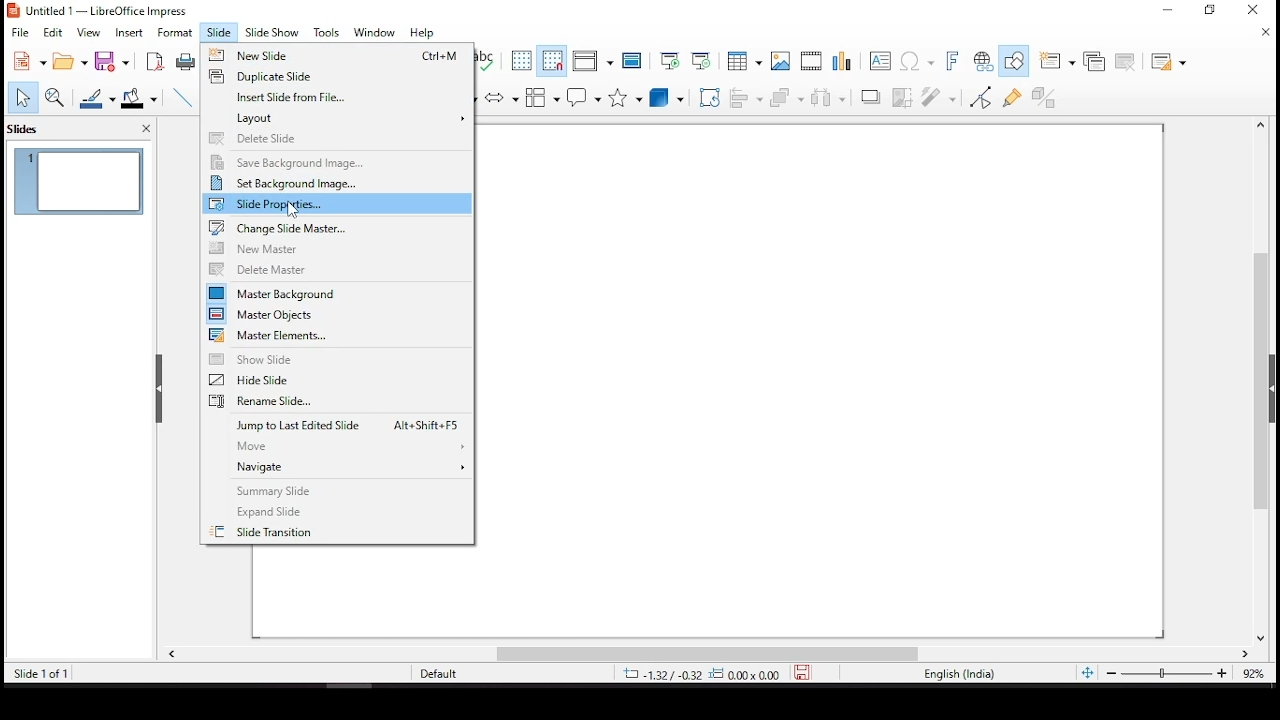  Describe the element at coordinates (337, 249) in the screenshot. I see `new  master` at that location.